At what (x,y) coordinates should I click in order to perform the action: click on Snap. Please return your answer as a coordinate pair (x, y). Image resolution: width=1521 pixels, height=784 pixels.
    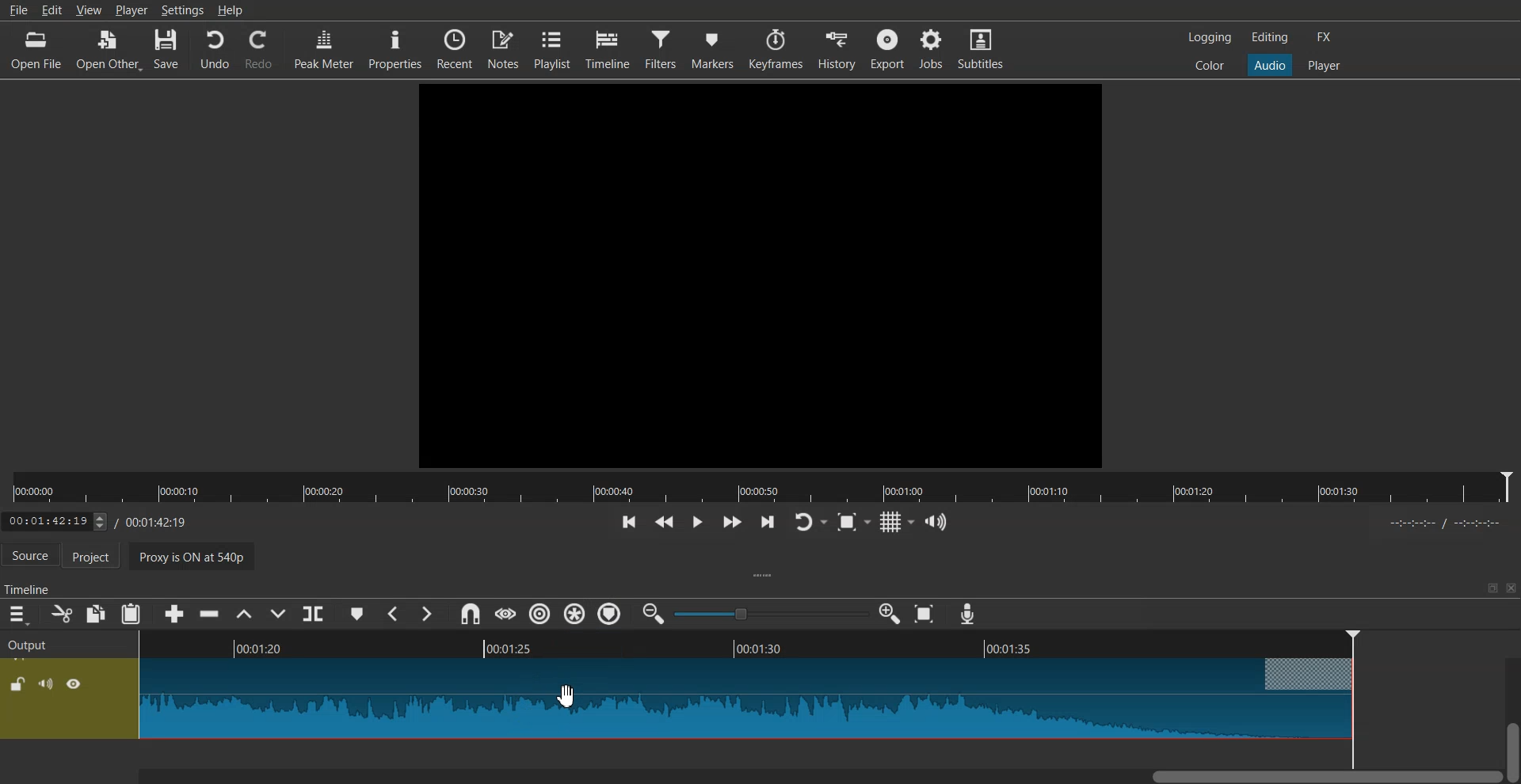
    Looking at the image, I should click on (467, 614).